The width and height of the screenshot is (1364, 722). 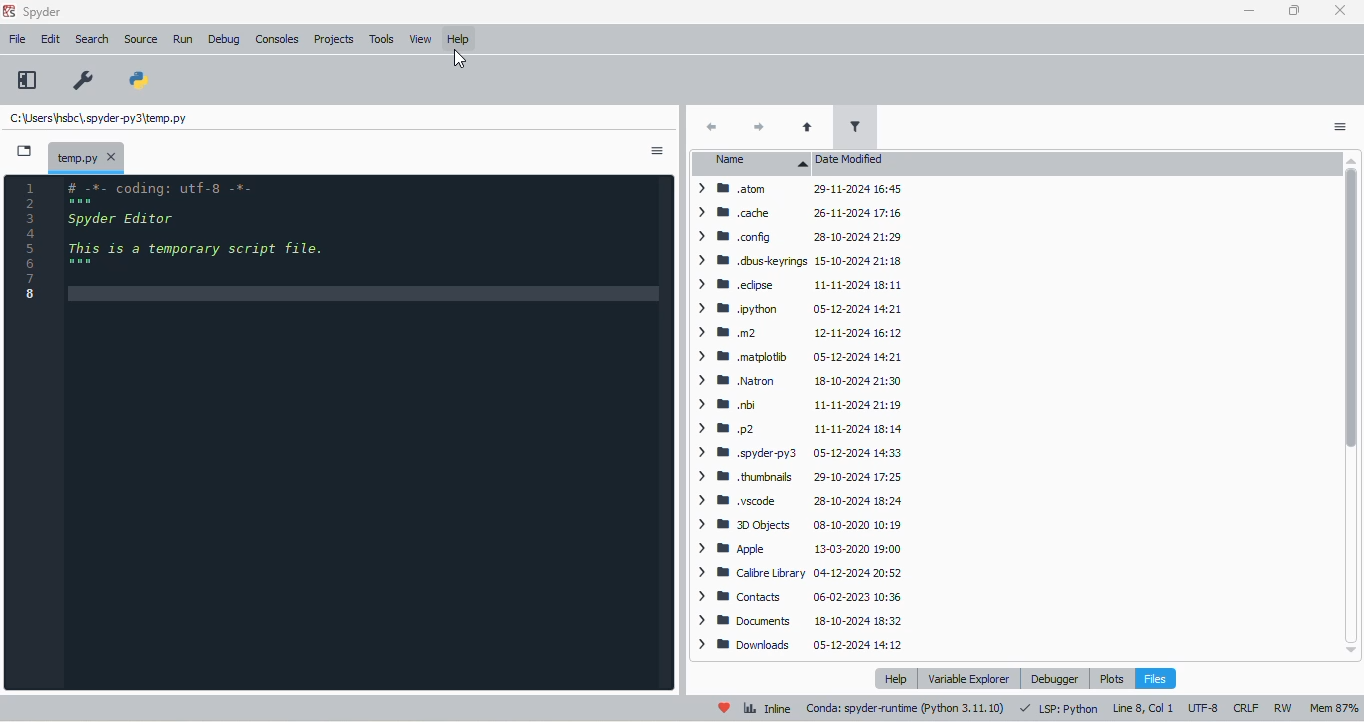 I want to click on > BB Contacts 06-02-2023 10:36, so click(x=798, y=595).